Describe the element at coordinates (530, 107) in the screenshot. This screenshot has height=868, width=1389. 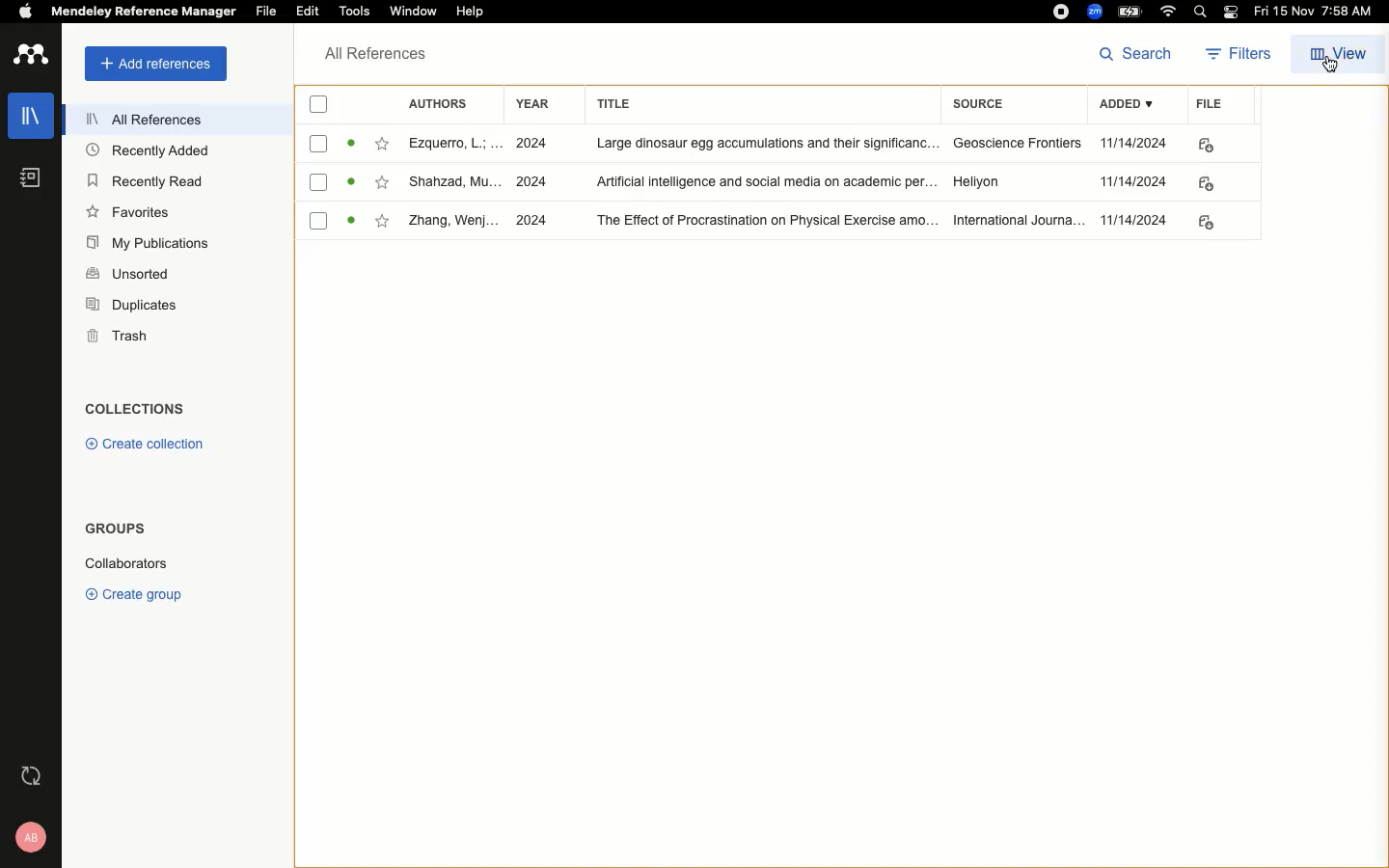
I see `Year` at that location.